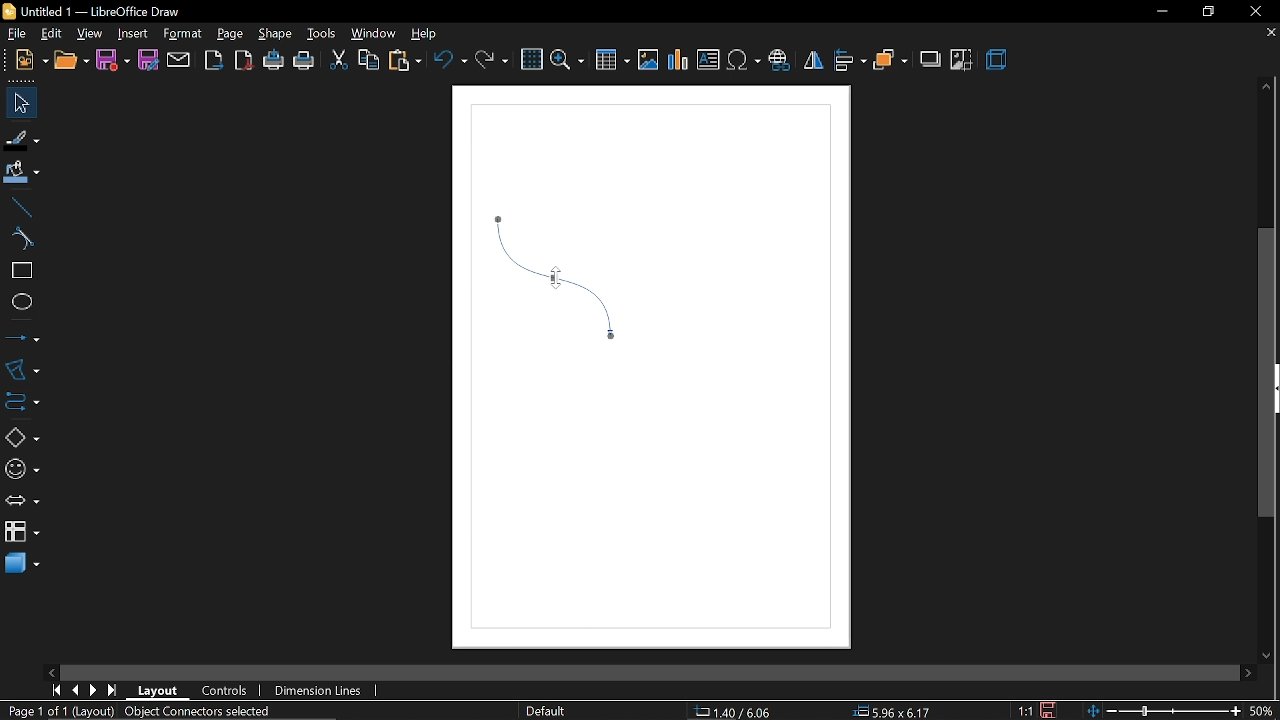 This screenshot has height=720, width=1280. I want to click on move up, so click(1267, 88).